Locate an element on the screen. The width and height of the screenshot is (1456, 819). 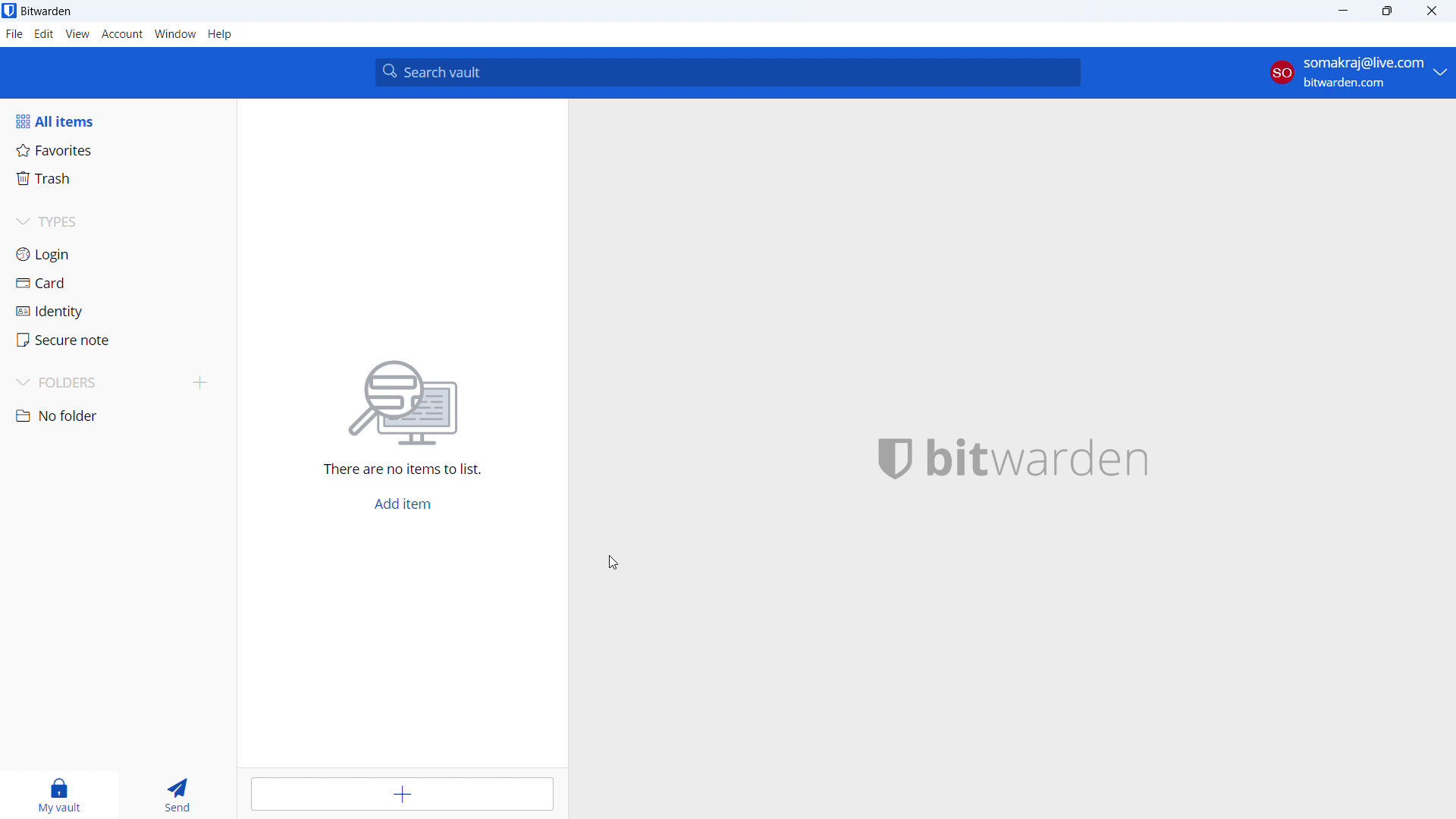
all items is located at coordinates (118, 121).